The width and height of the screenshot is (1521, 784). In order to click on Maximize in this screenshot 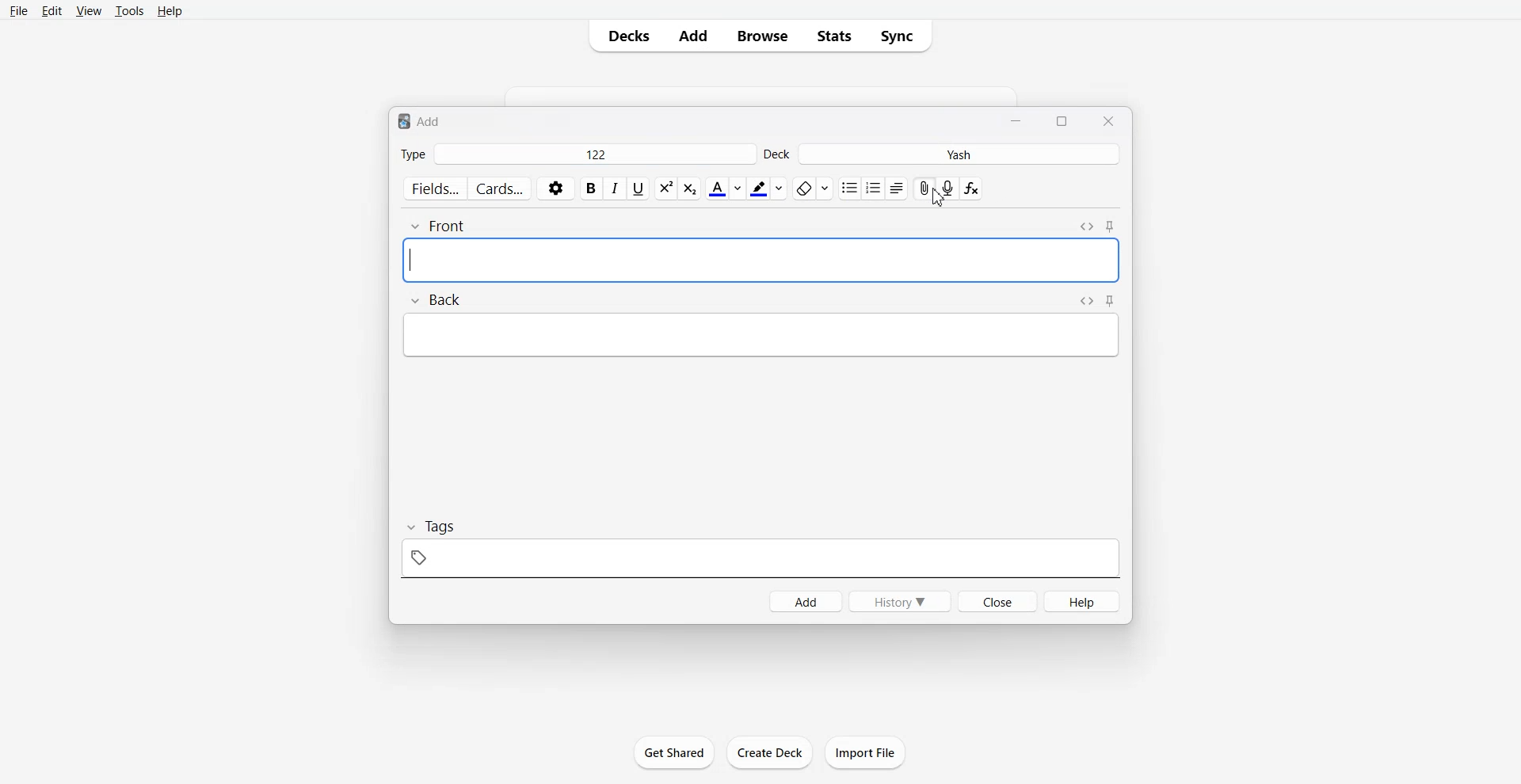, I will do `click(1064, 121)`.